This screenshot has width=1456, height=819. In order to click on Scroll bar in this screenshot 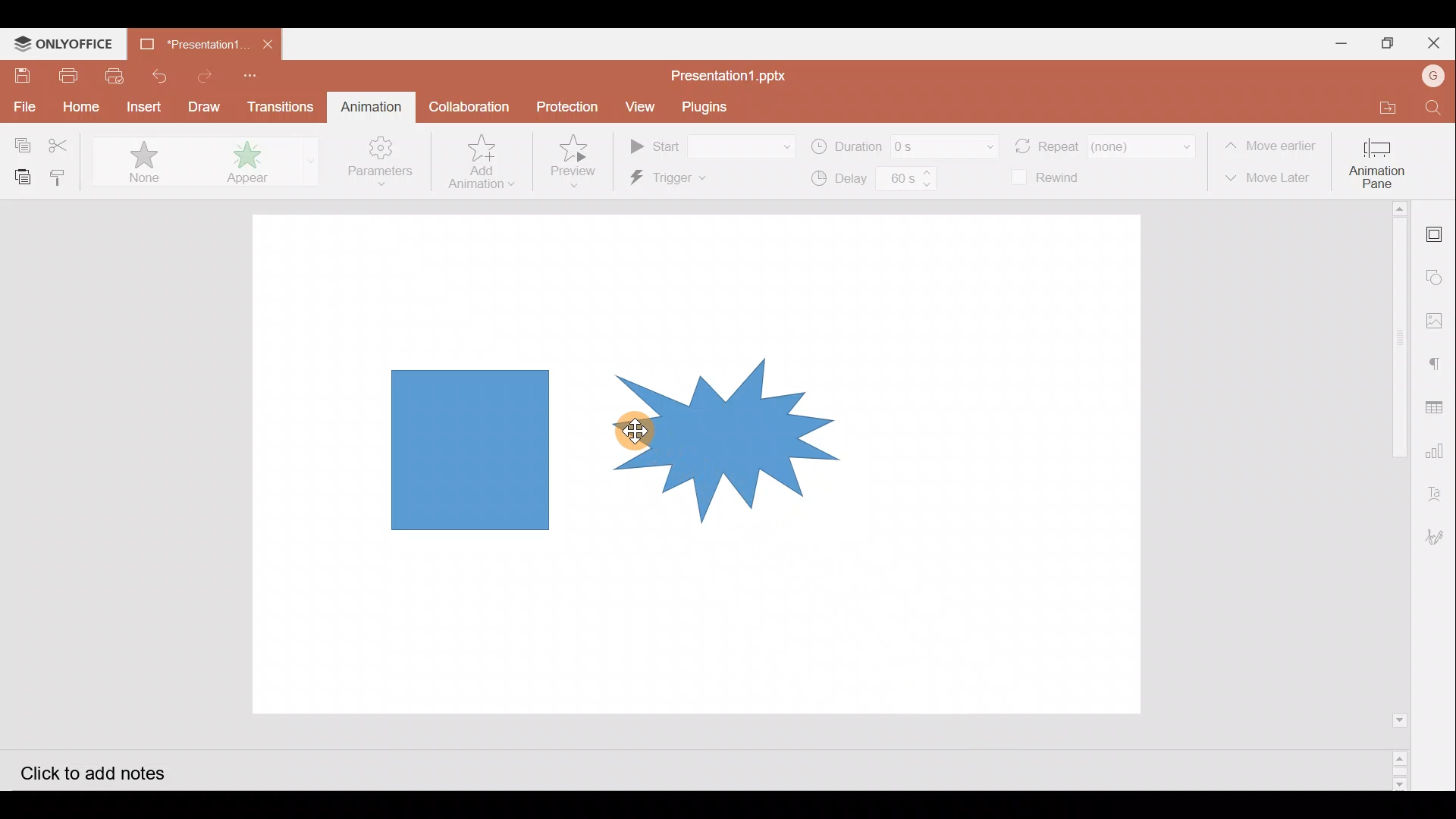, I will do `click(1393, 495)`.